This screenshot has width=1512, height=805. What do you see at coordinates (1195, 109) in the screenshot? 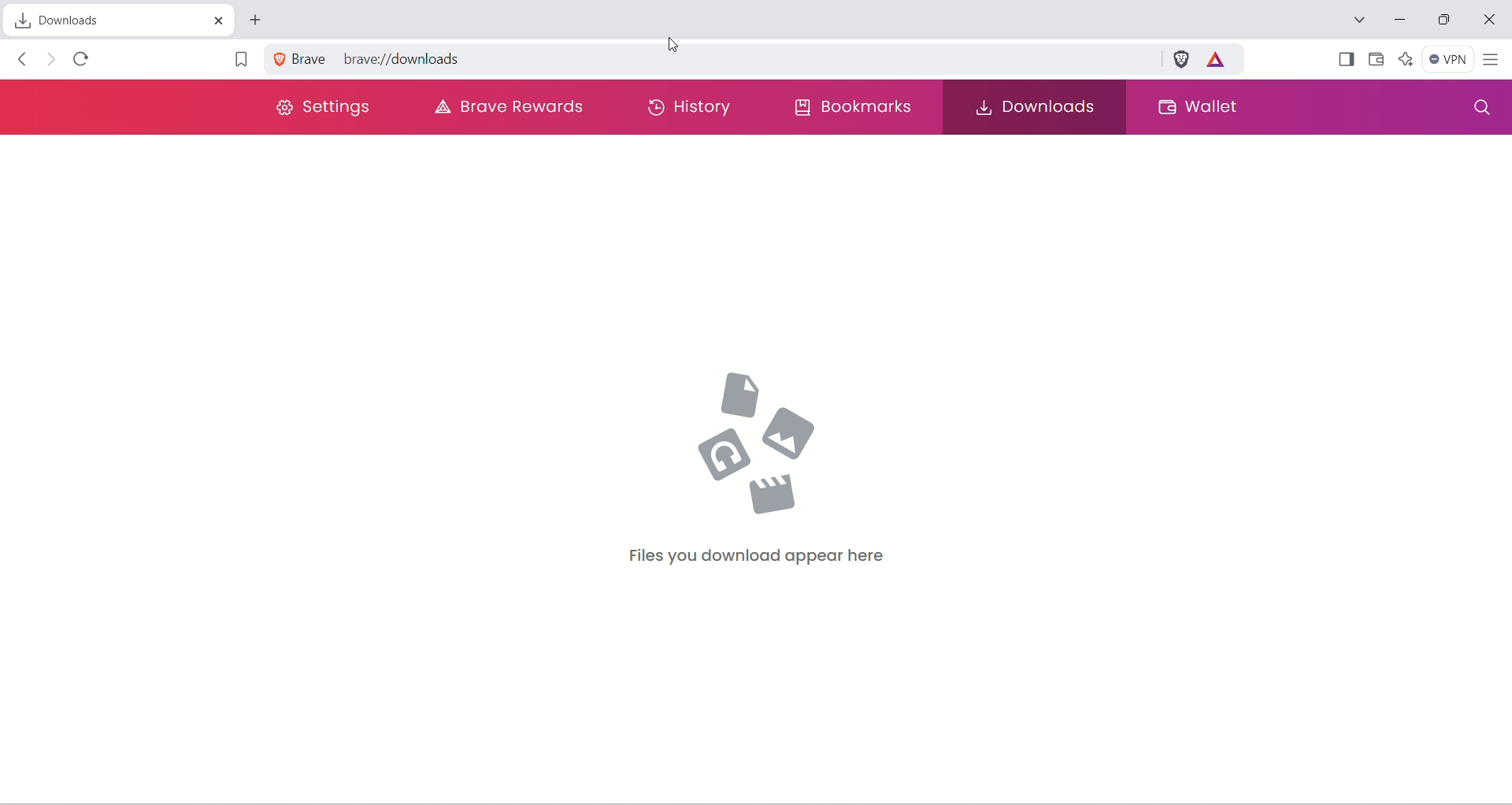
I see `wallet` at bounding box center [1195, 109].